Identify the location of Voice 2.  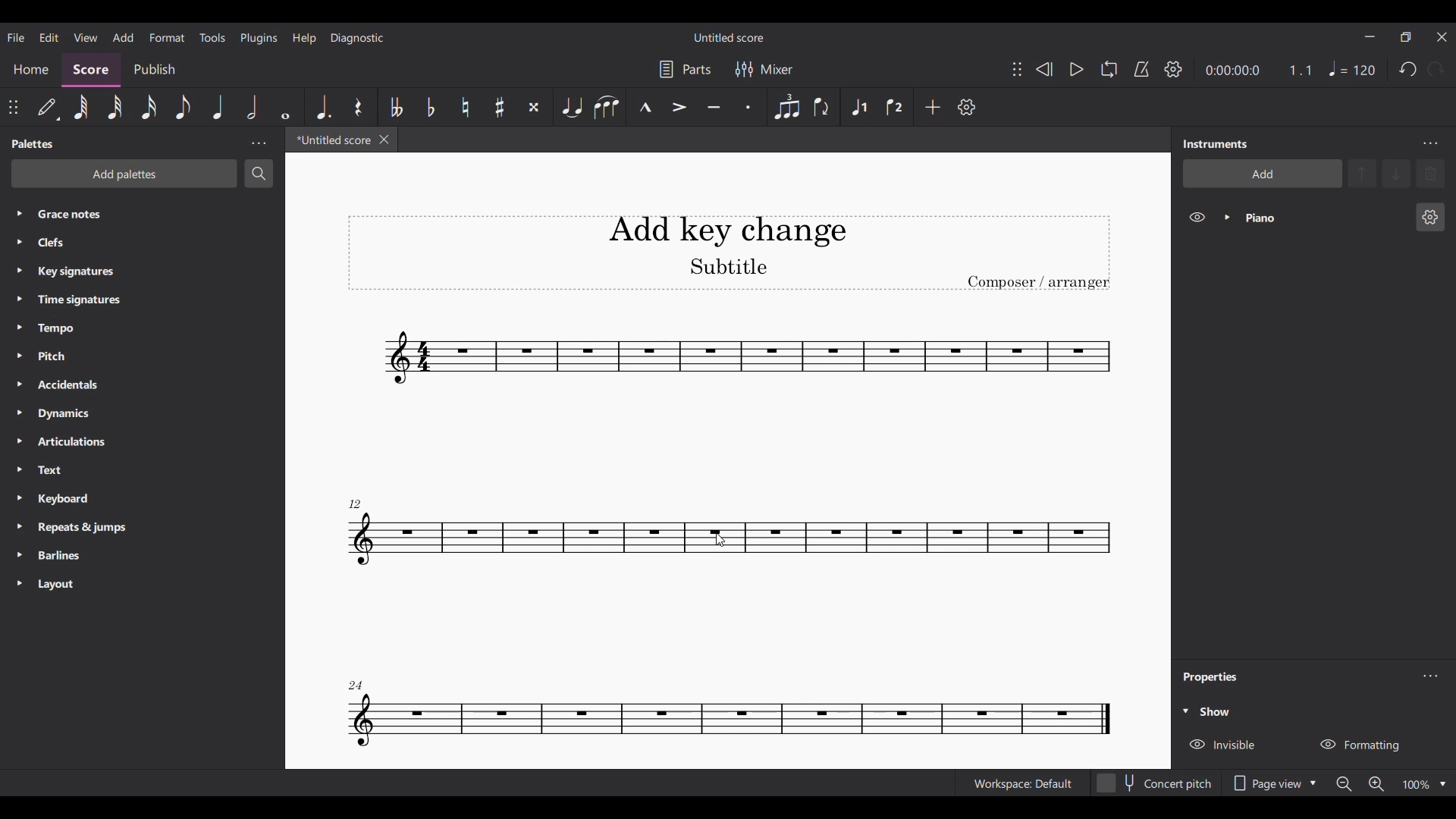
(894, 107).